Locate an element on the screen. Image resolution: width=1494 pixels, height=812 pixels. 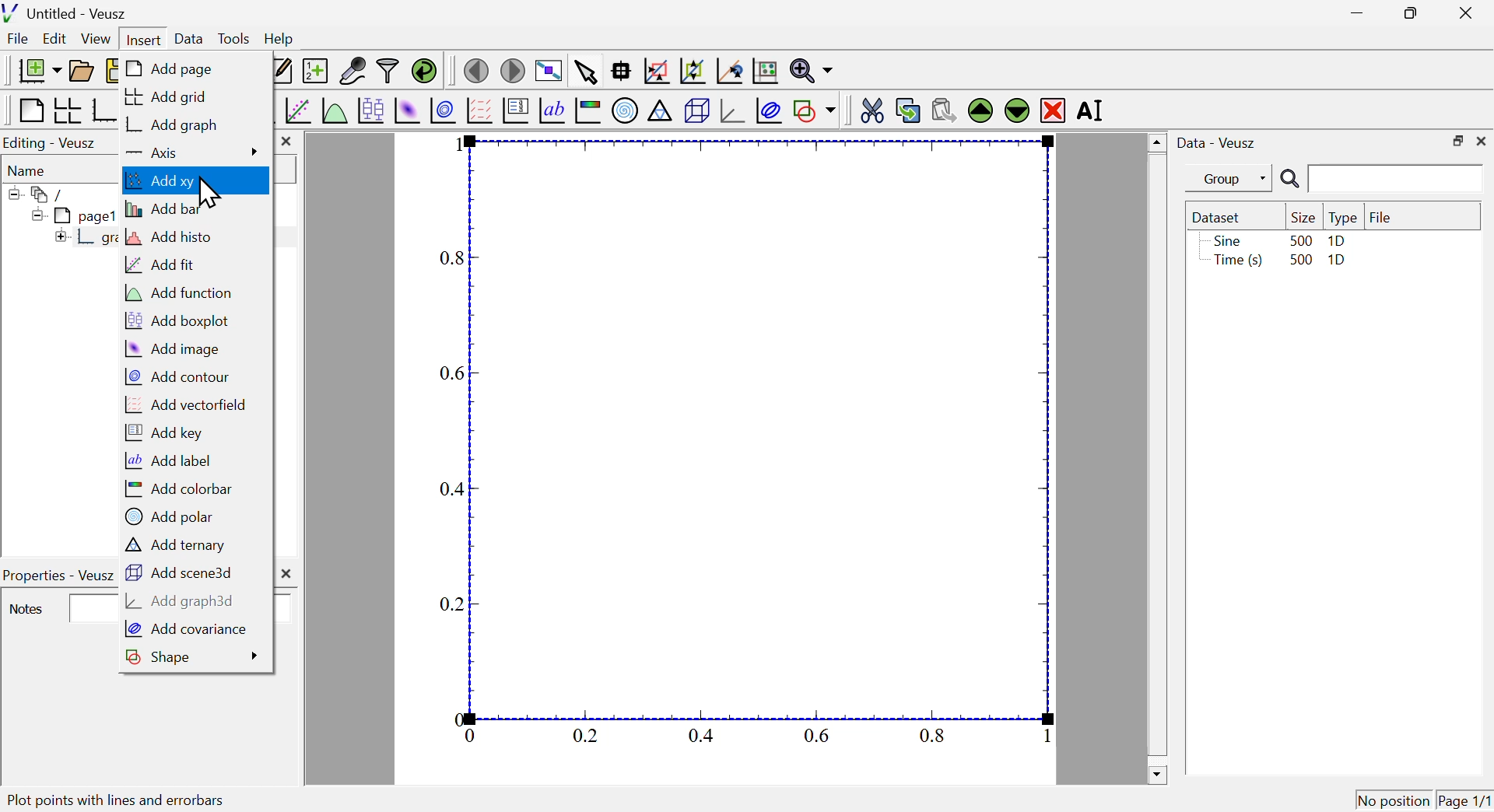
base graph is located at coordinates (105, 110).